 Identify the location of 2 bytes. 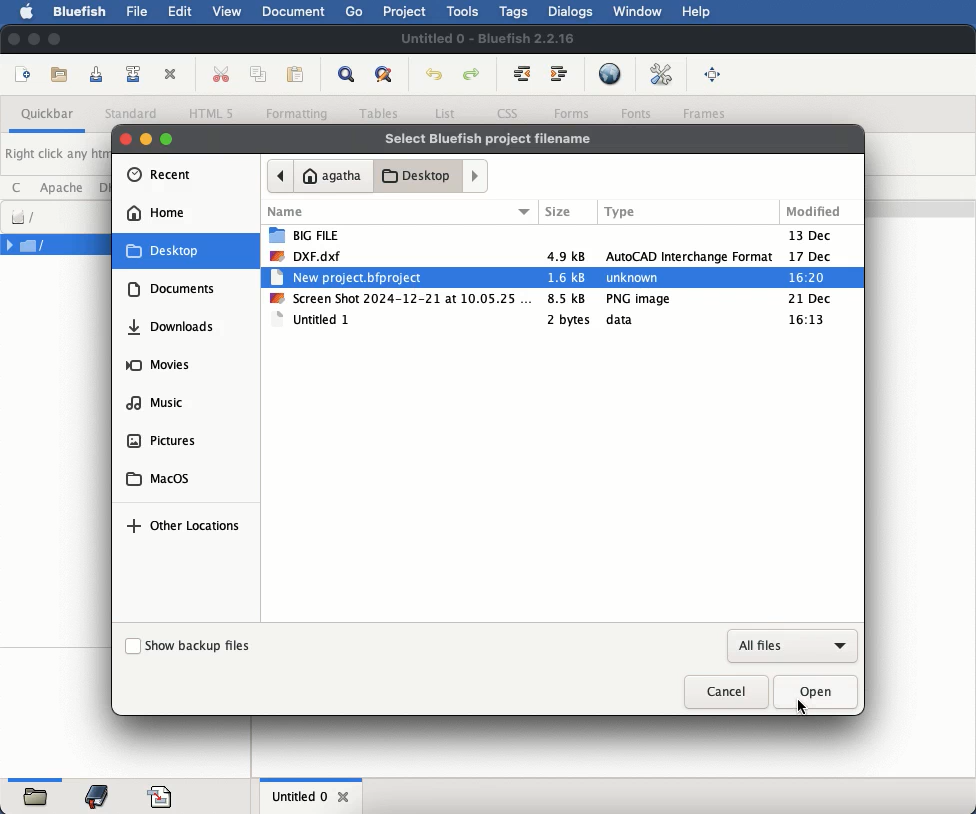
(568, 322).